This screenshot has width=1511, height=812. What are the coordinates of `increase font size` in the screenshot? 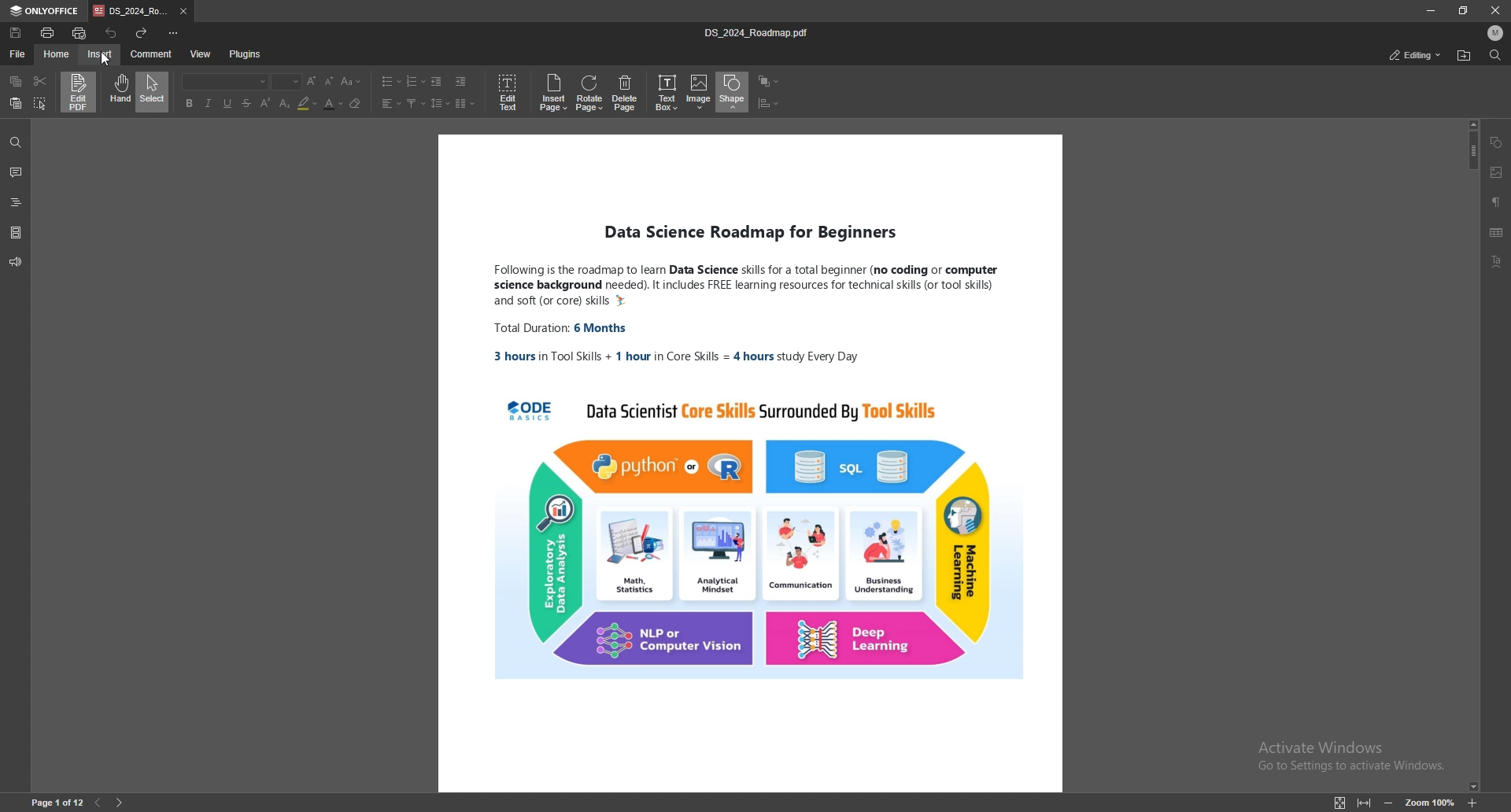 It's located at (312, 82).